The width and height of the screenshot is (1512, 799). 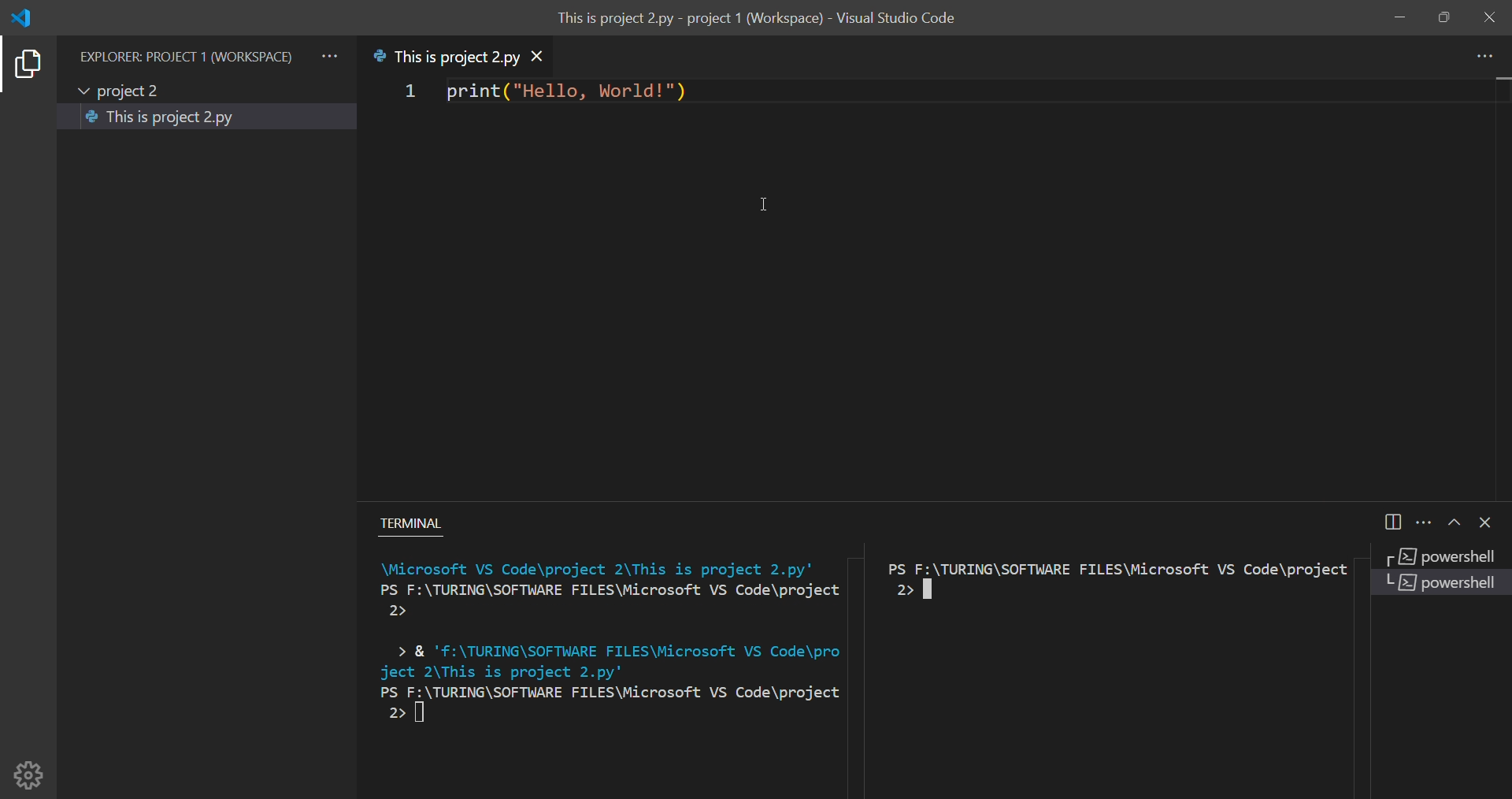 What do you see at coordinates (167, 118) in the screenshot?
I see `This is project 2.py` at bounding box center [167, 118].